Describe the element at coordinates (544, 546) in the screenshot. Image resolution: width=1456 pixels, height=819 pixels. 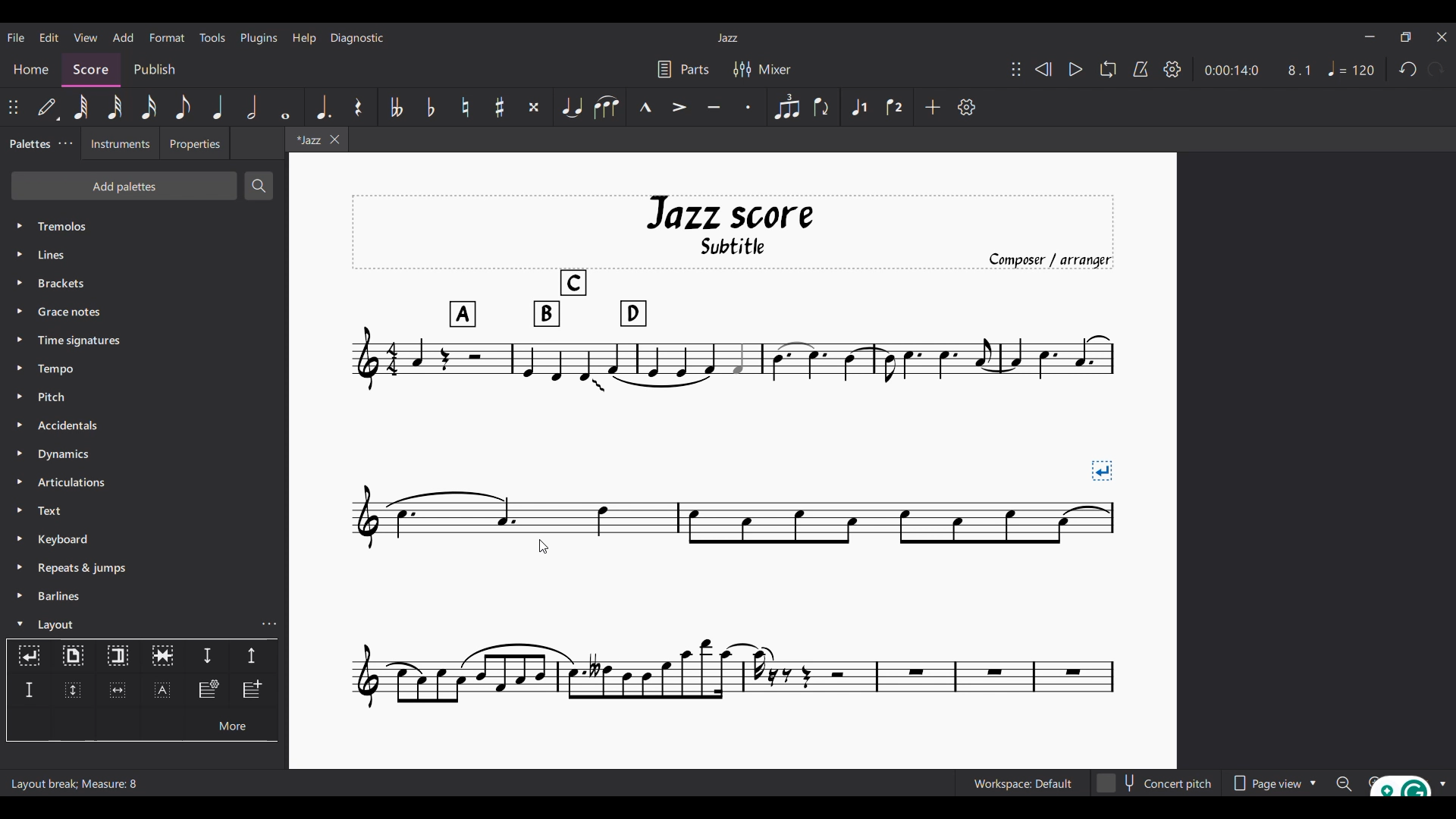
I see `Cursor` at that location.